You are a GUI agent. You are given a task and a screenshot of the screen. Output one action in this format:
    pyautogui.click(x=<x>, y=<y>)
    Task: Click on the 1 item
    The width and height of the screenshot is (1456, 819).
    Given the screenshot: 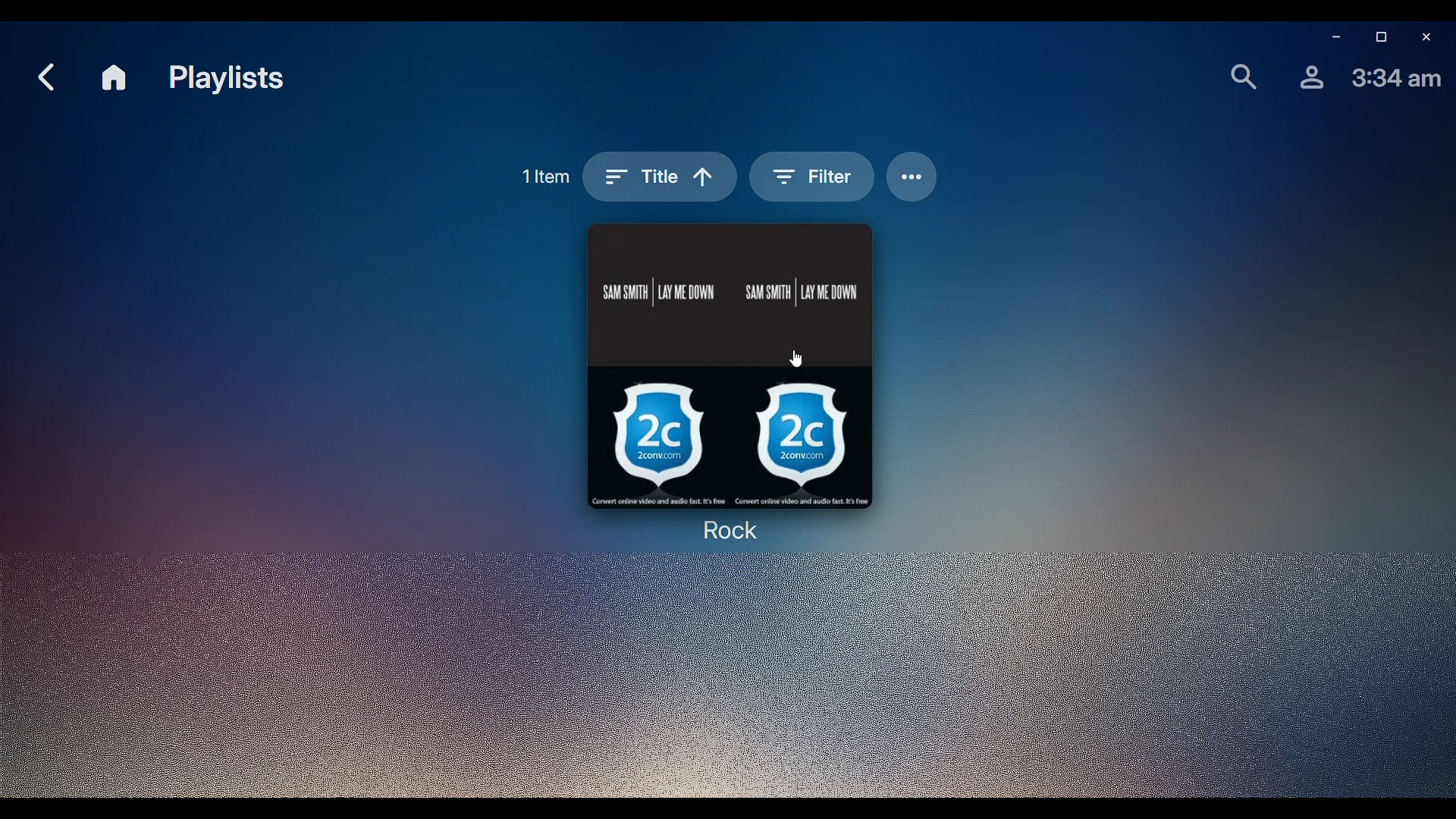 What is the action you would take?
    pyautogui.click(x=541, y=177)
    